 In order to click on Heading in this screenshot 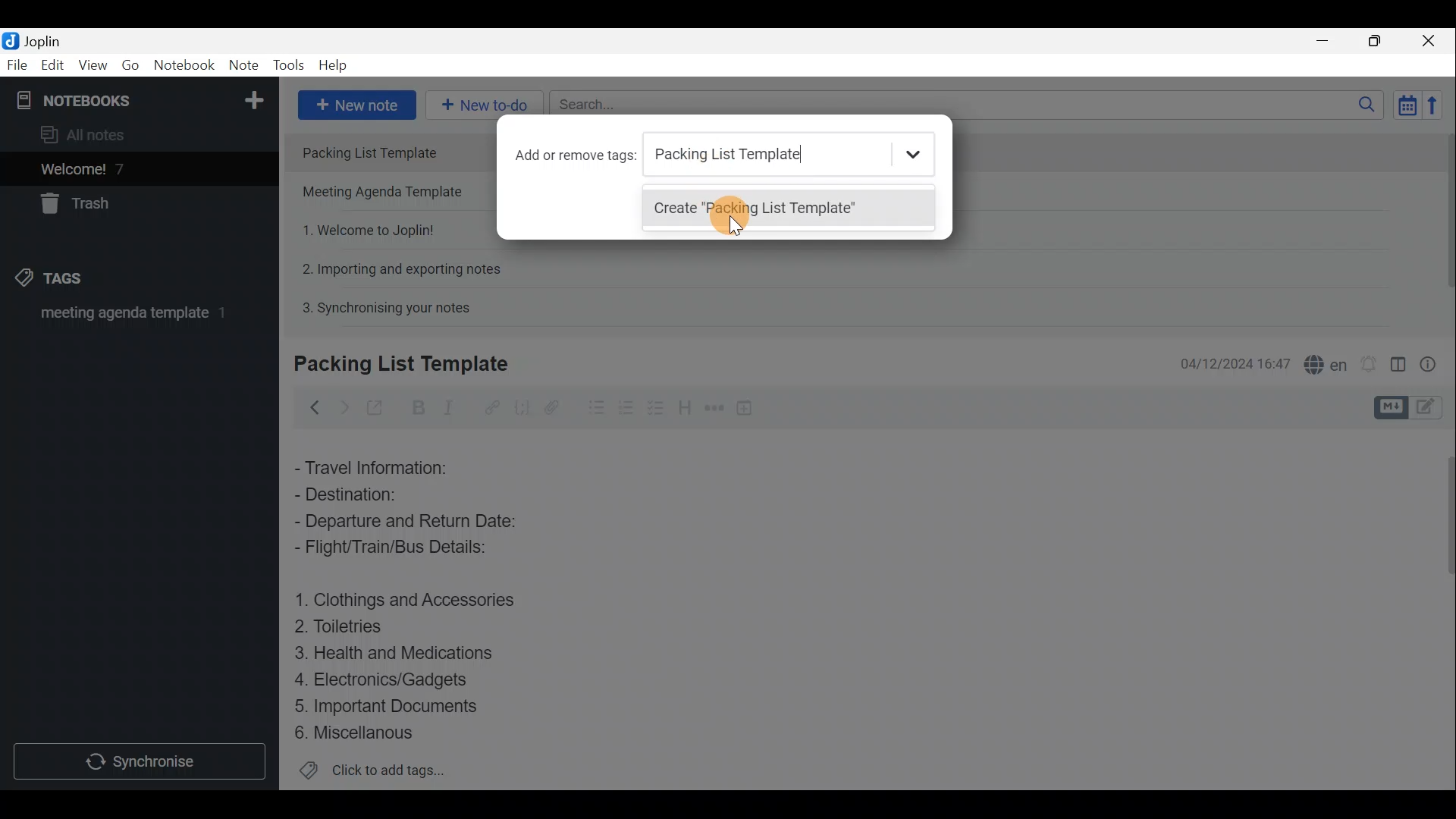, I will do `click(686, 406)`.